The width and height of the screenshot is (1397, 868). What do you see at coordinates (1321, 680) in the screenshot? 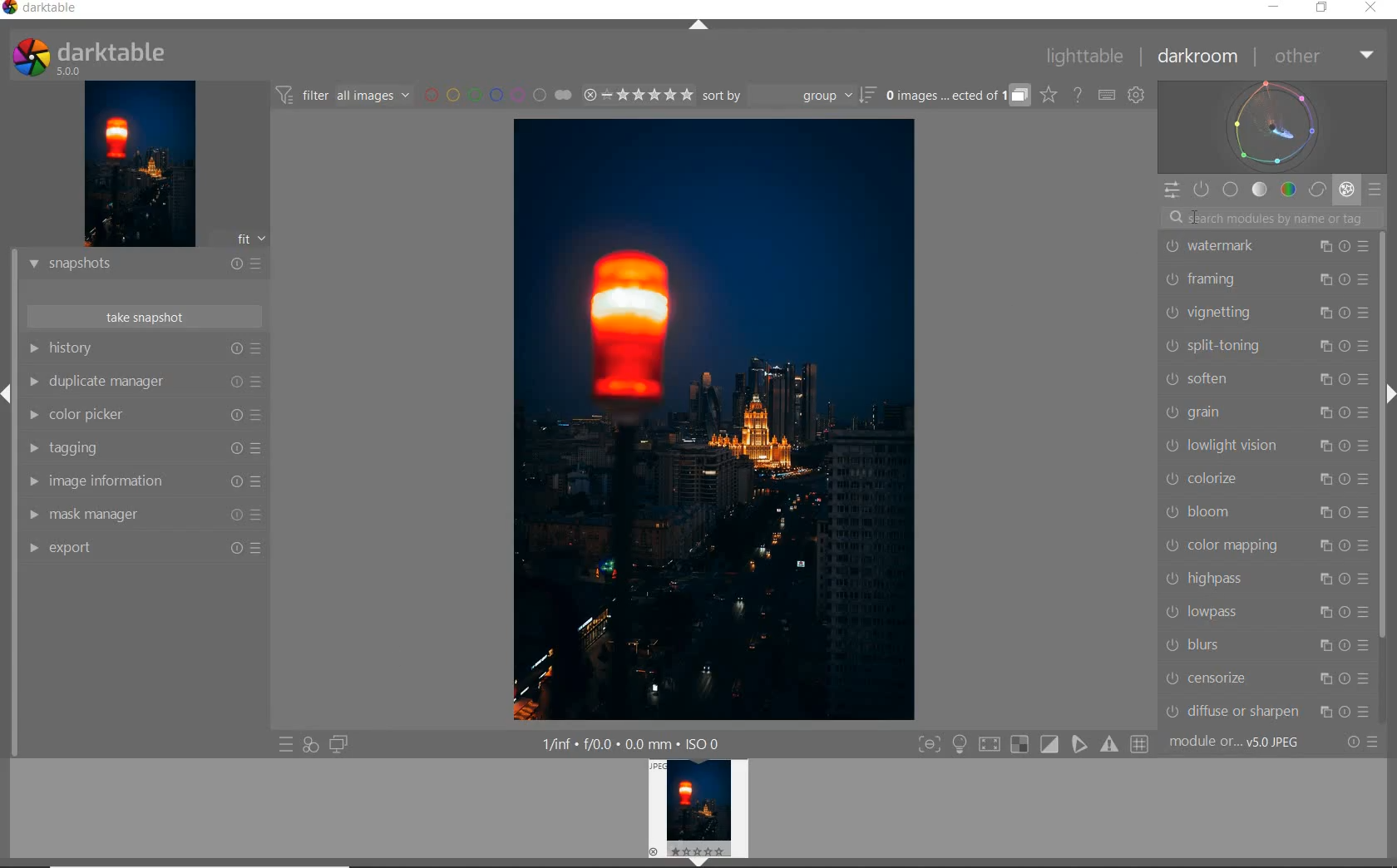
I see `Multiple instance` at bounding box center [1321, 680].